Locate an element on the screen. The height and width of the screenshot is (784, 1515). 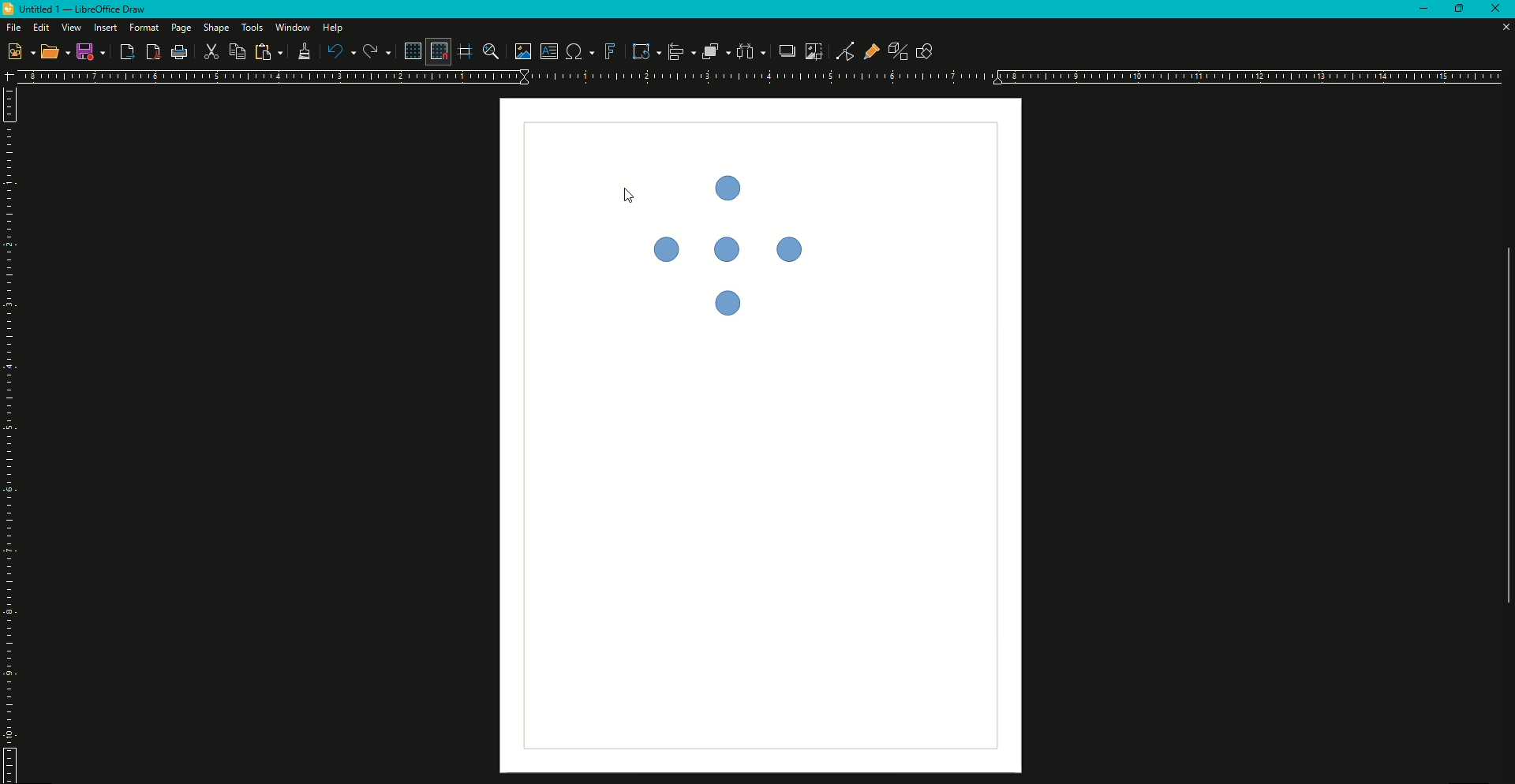
Align Objects is located at coordinates (679, 52).